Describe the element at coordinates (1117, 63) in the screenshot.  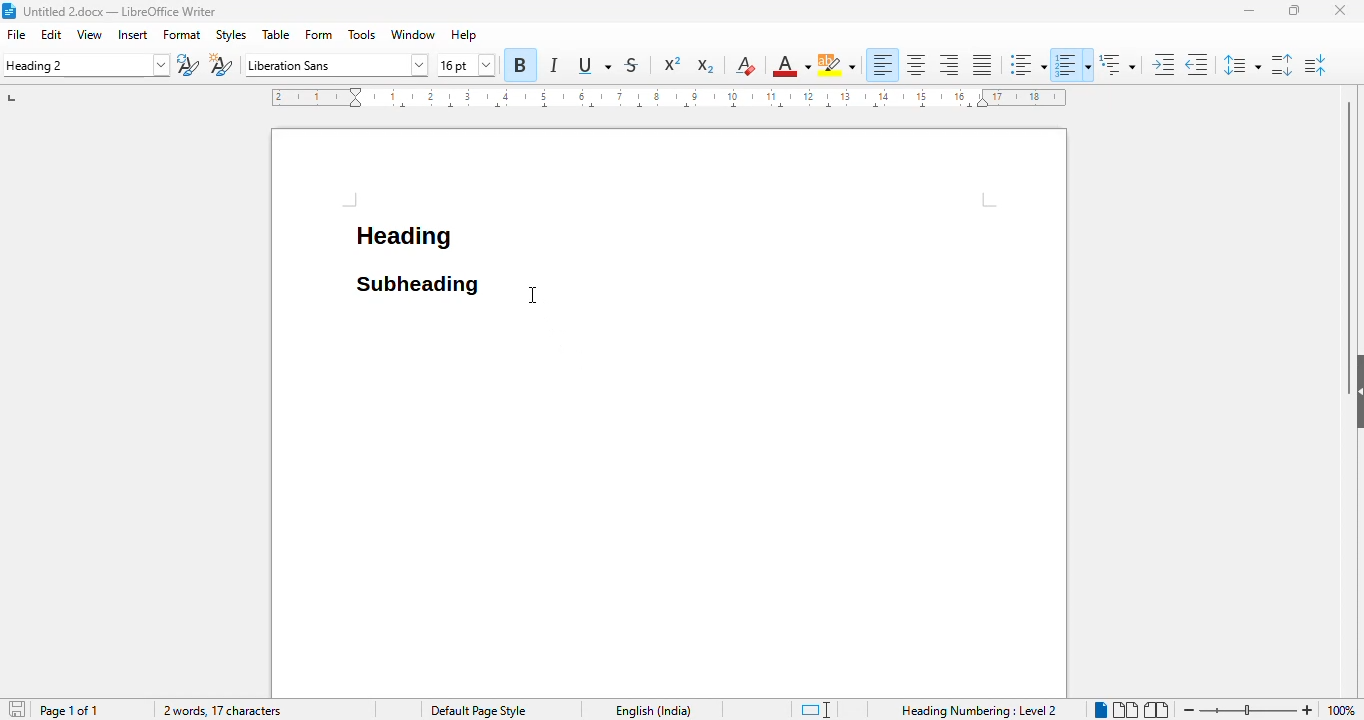
I see `set outline format` at that location.